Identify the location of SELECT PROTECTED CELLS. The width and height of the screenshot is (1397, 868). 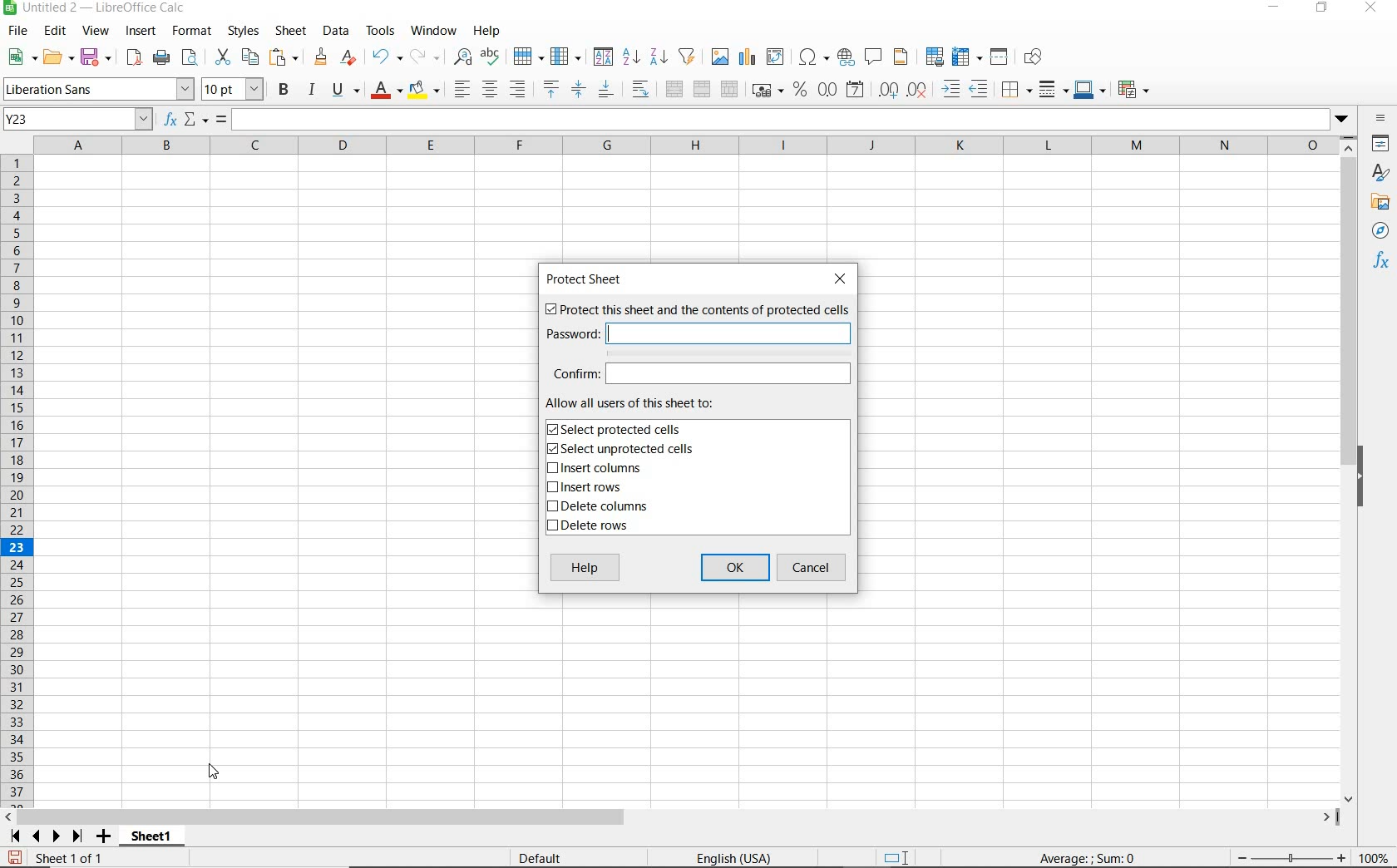
(618, 429).